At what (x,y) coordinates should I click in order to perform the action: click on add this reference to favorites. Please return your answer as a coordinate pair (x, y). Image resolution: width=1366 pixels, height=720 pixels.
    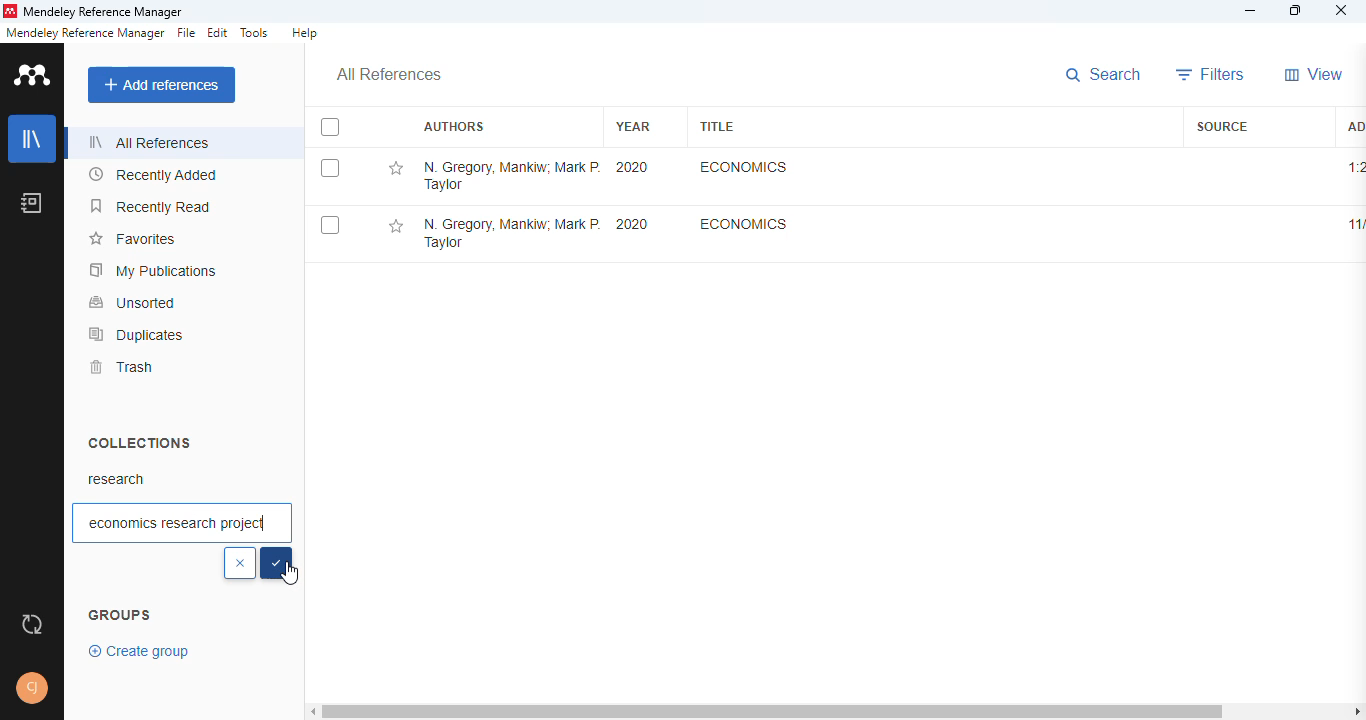
    Looking at the image, I should click on (395, 169).